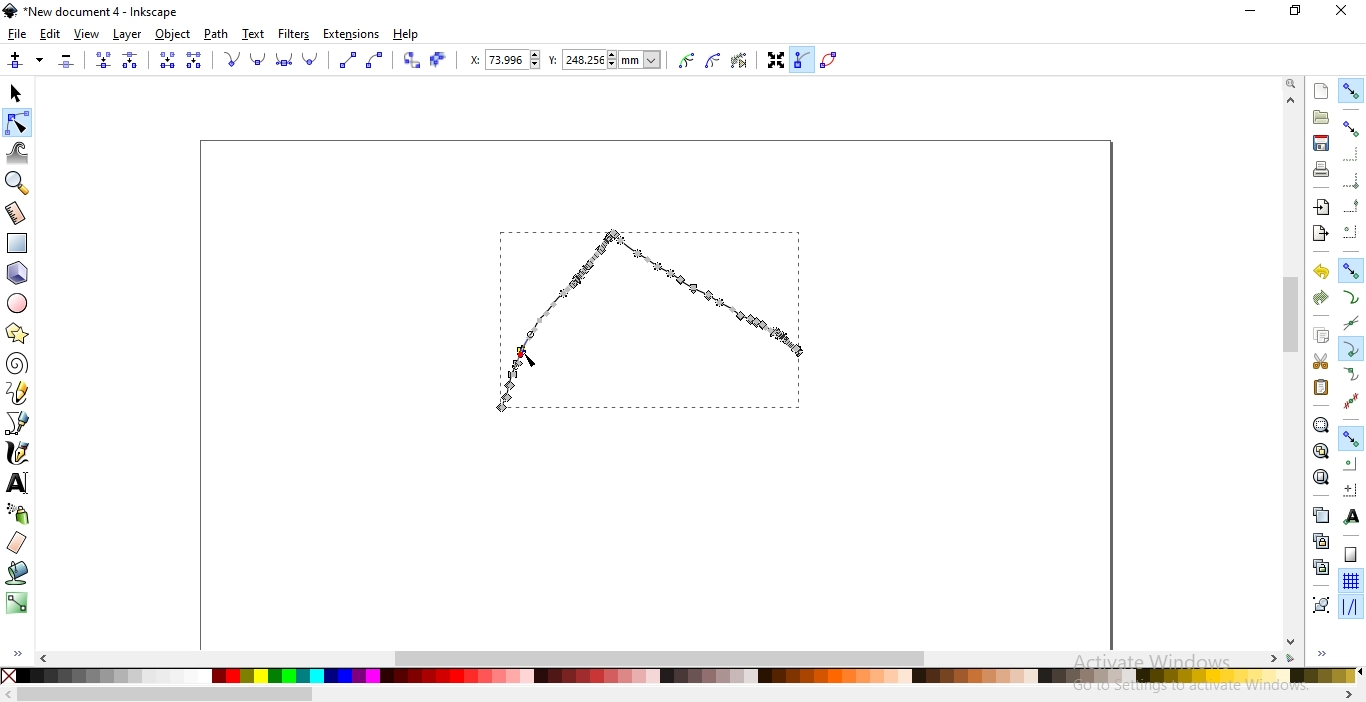  I want to click on zoom to fit page, so click(1320, 477).